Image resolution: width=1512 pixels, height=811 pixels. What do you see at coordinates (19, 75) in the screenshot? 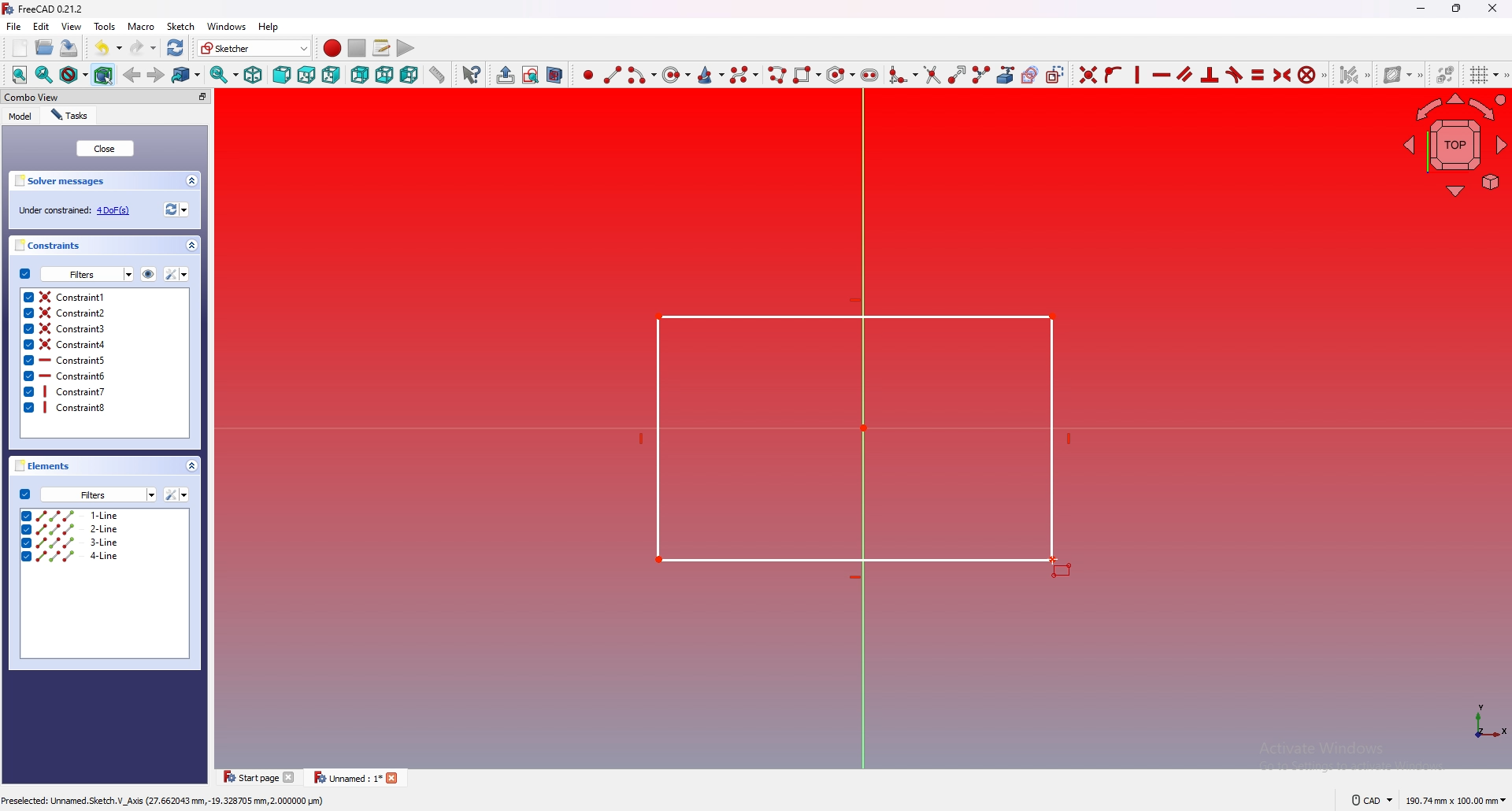
I see `fit all` at bounding box center [19, 75].